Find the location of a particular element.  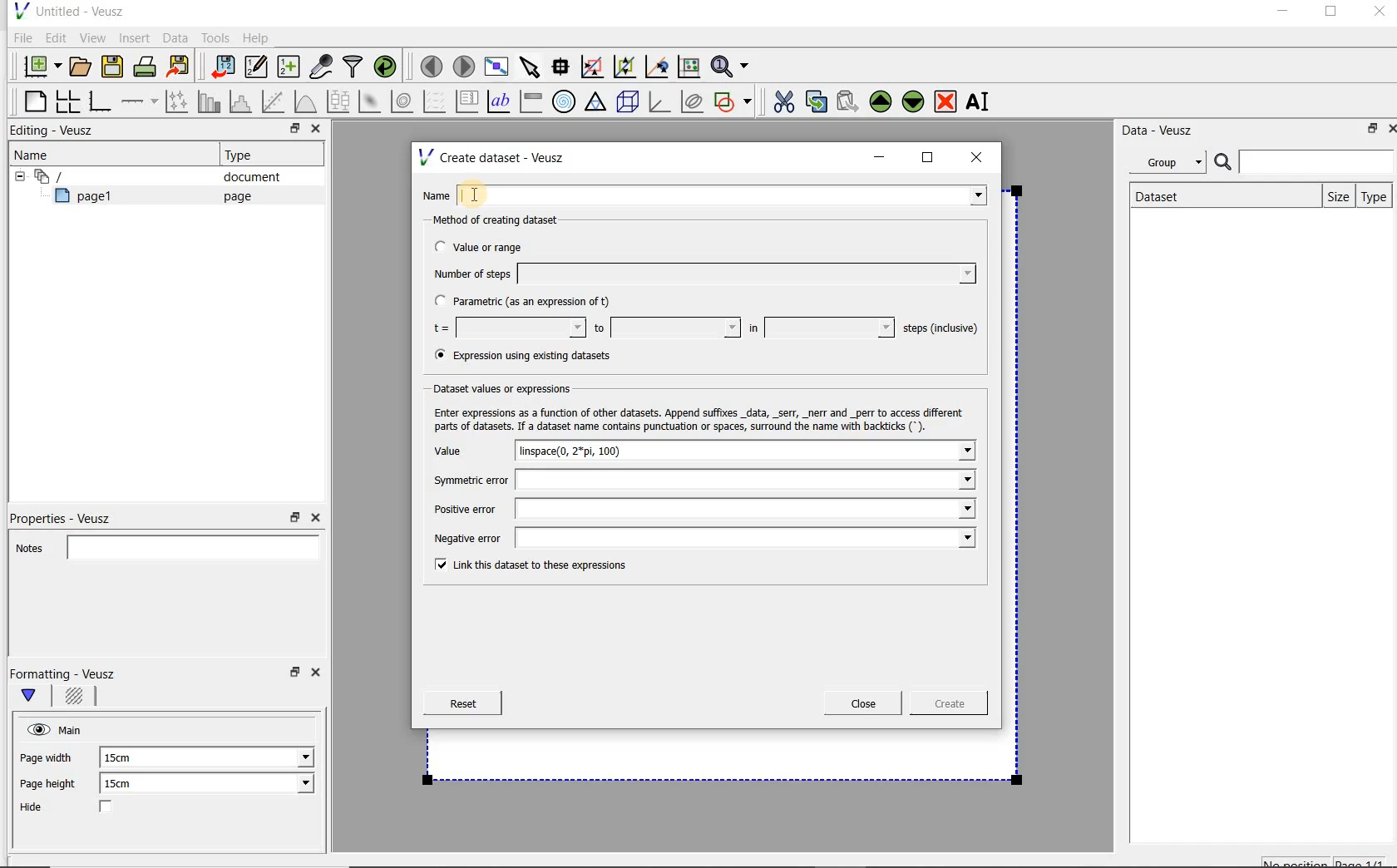

15cm is located at coordinates (128, 784).